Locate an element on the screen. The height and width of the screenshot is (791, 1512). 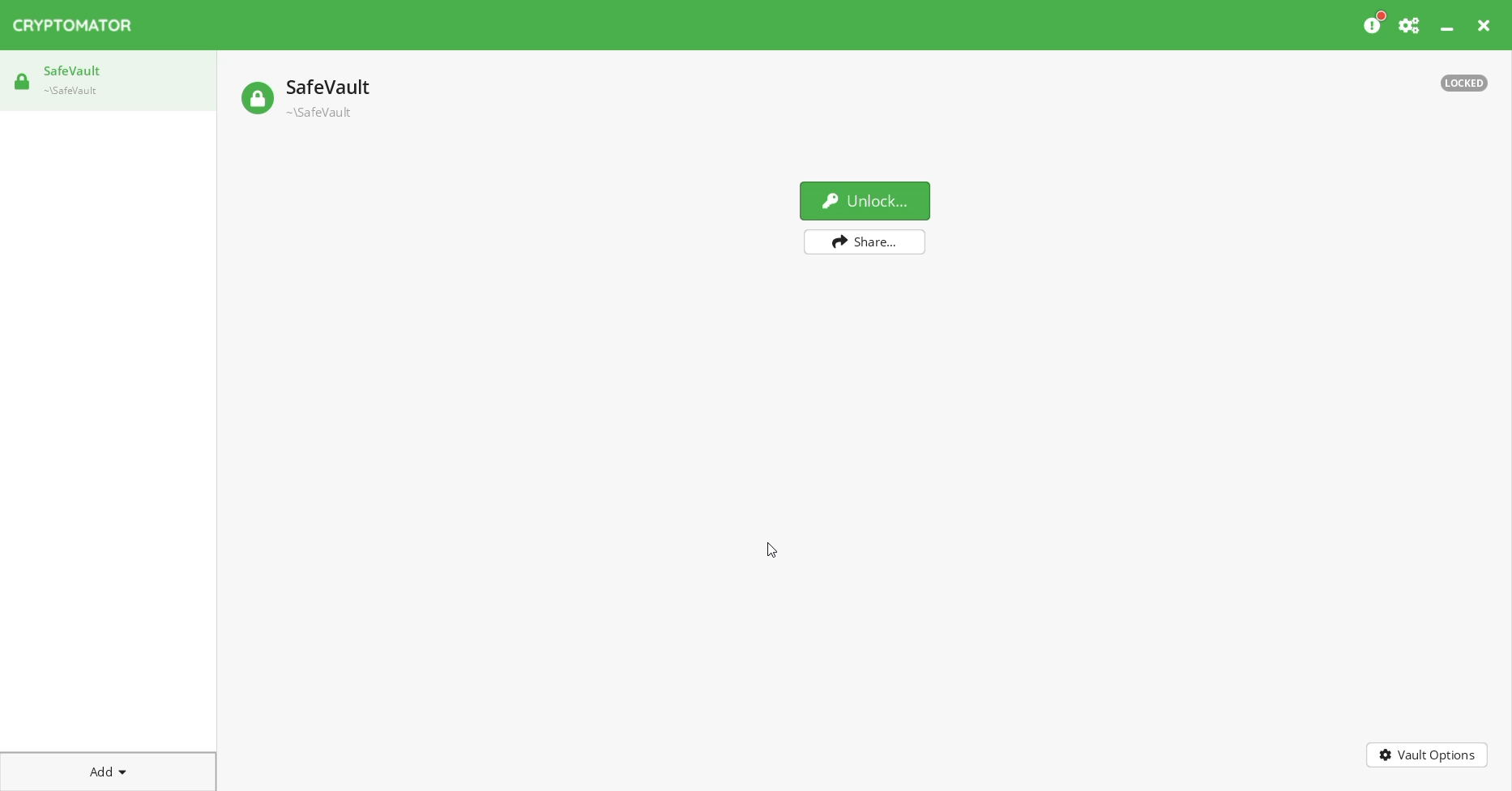
Share is located at coordinates (866, 242).